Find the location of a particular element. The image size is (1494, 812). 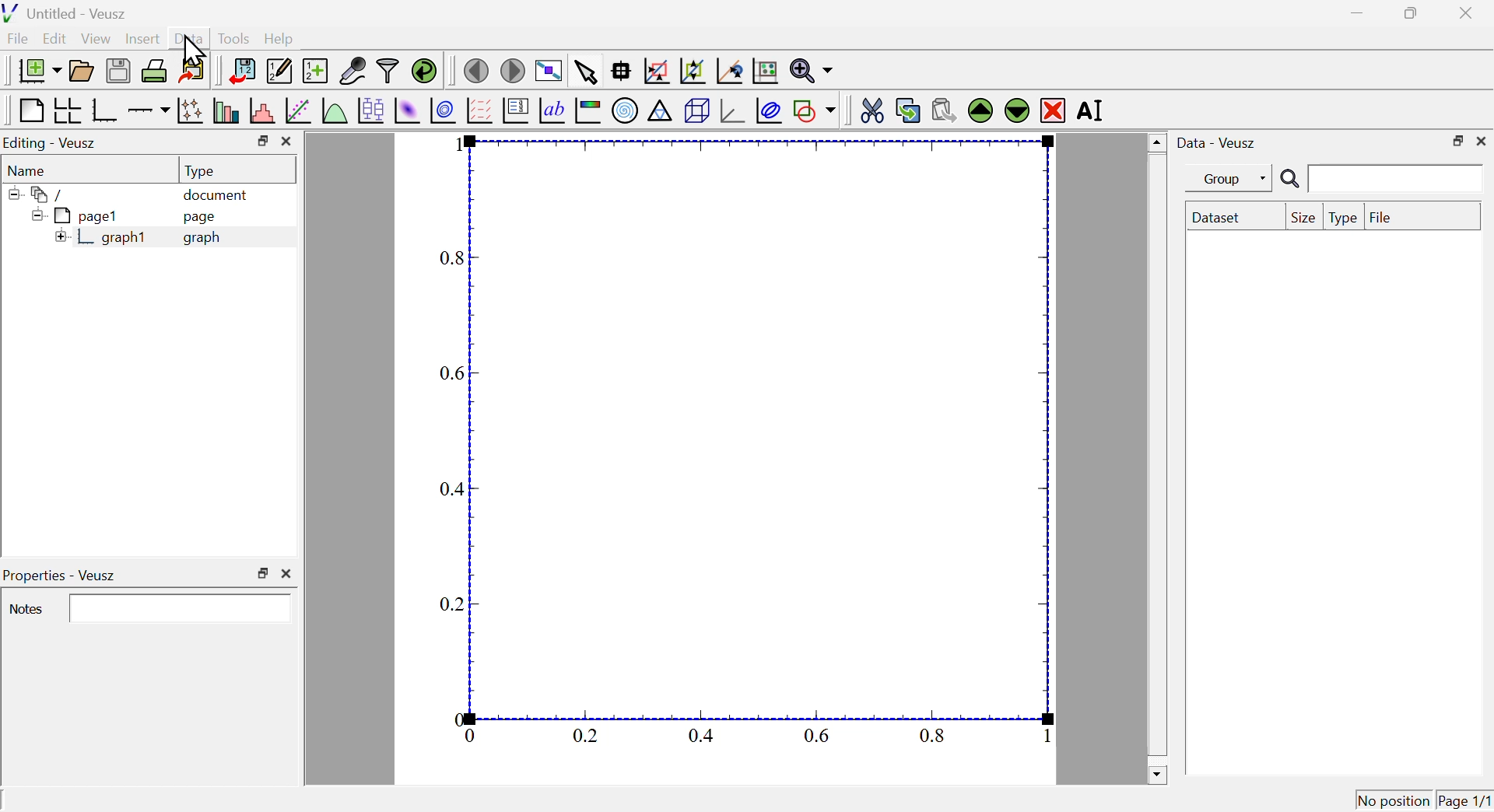

0 is located at coordinates (457, 717).